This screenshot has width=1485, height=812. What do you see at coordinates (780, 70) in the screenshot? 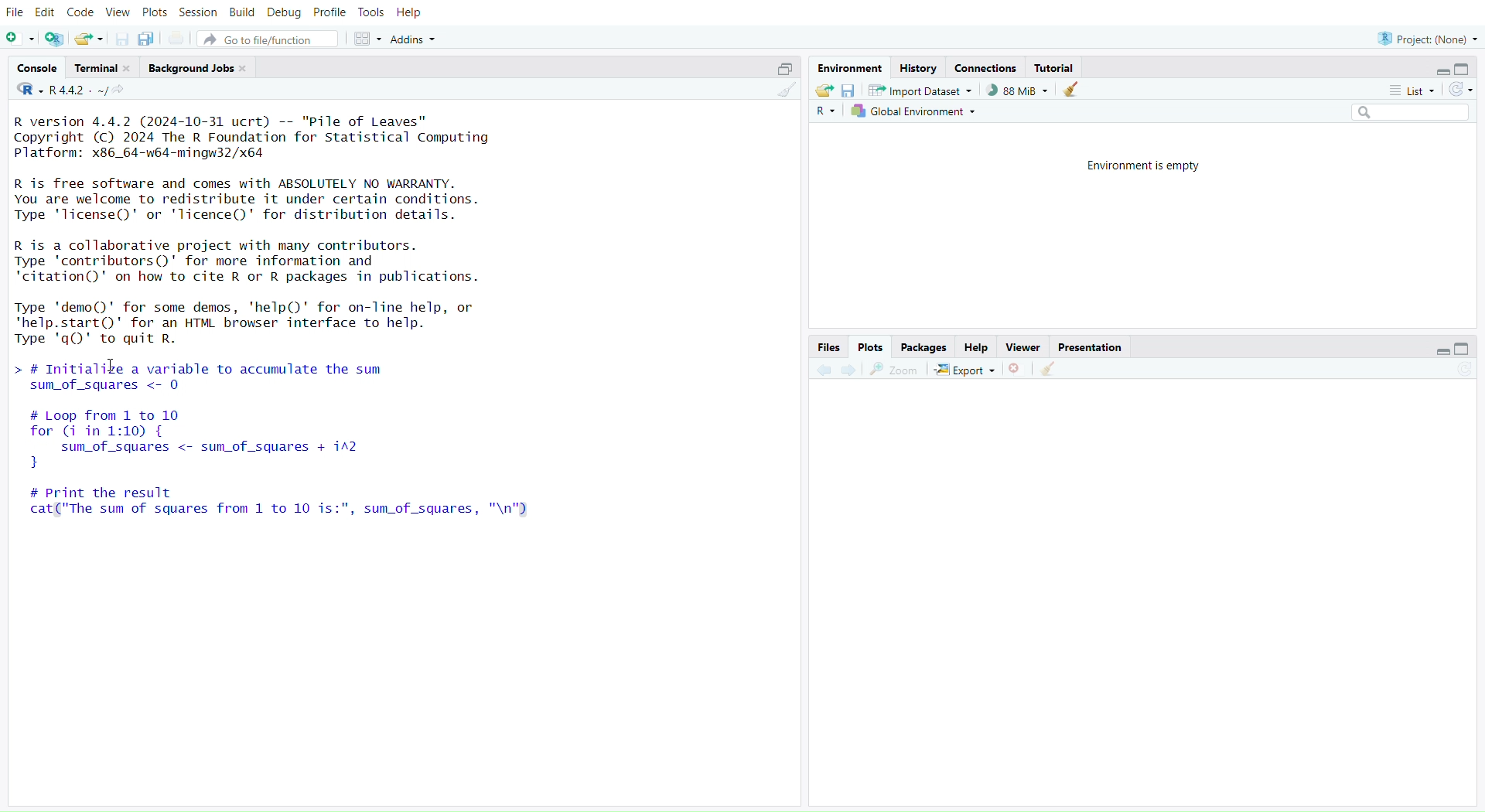
I see `expand` at bounding box center [780, 70].